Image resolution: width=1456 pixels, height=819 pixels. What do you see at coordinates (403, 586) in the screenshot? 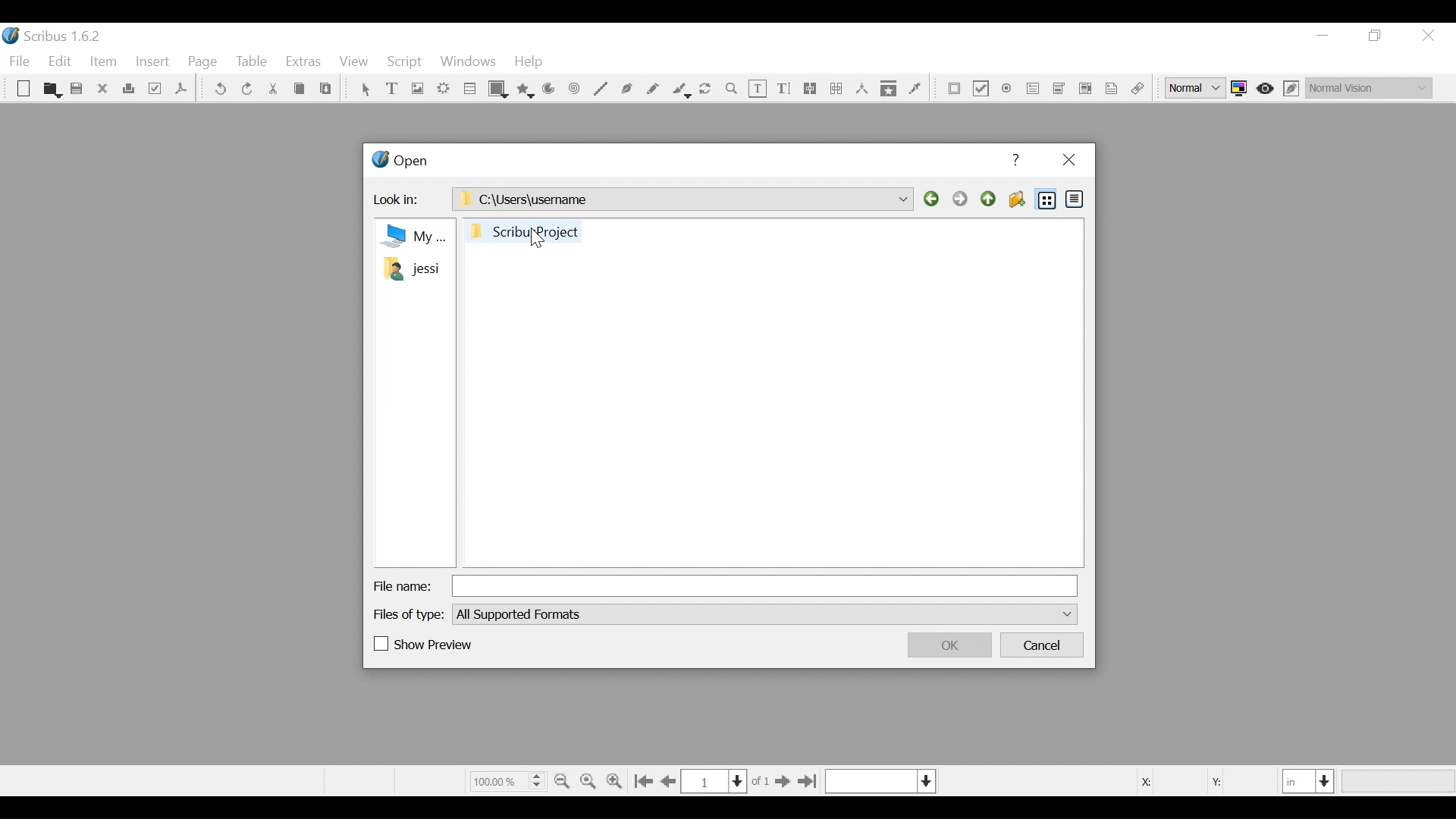
I see `File Name` at bounding box center [403, 586].